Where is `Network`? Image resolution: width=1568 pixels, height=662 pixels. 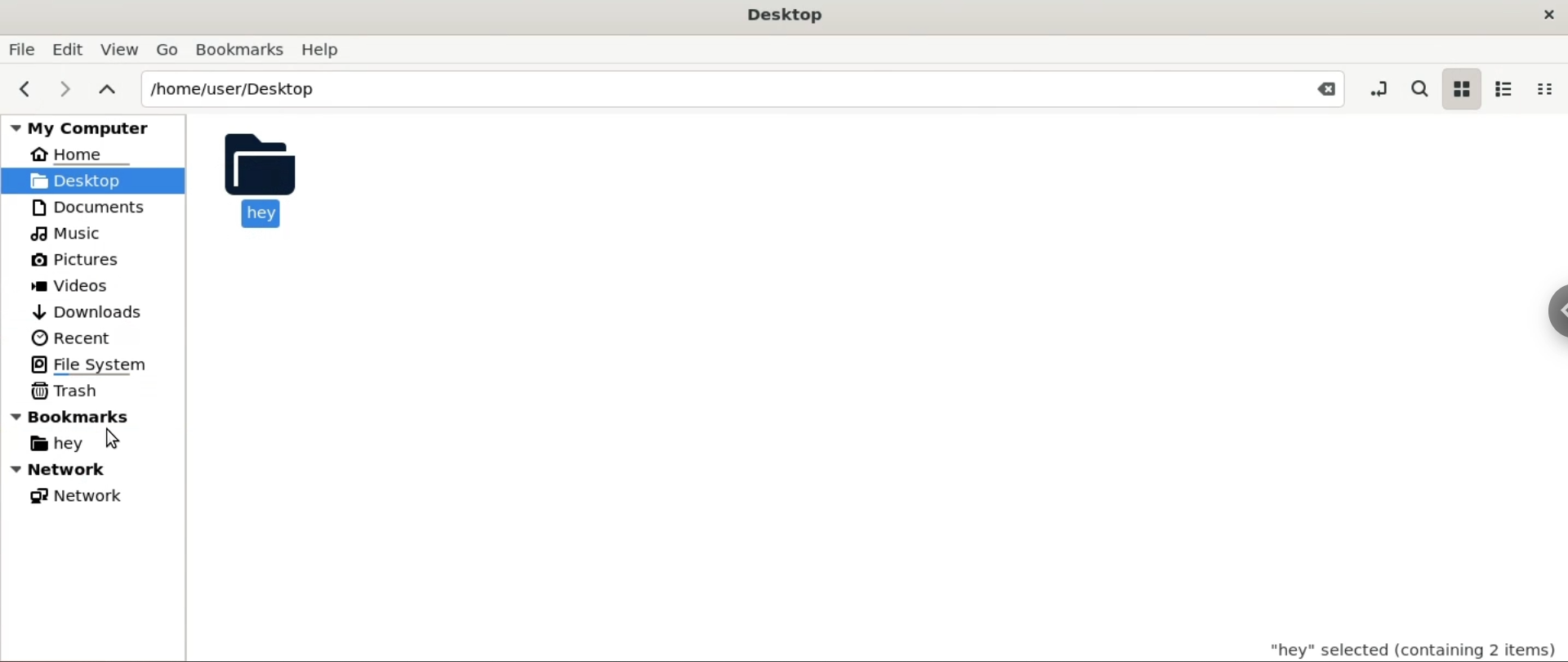
Network is located at coordinates (83, 472).